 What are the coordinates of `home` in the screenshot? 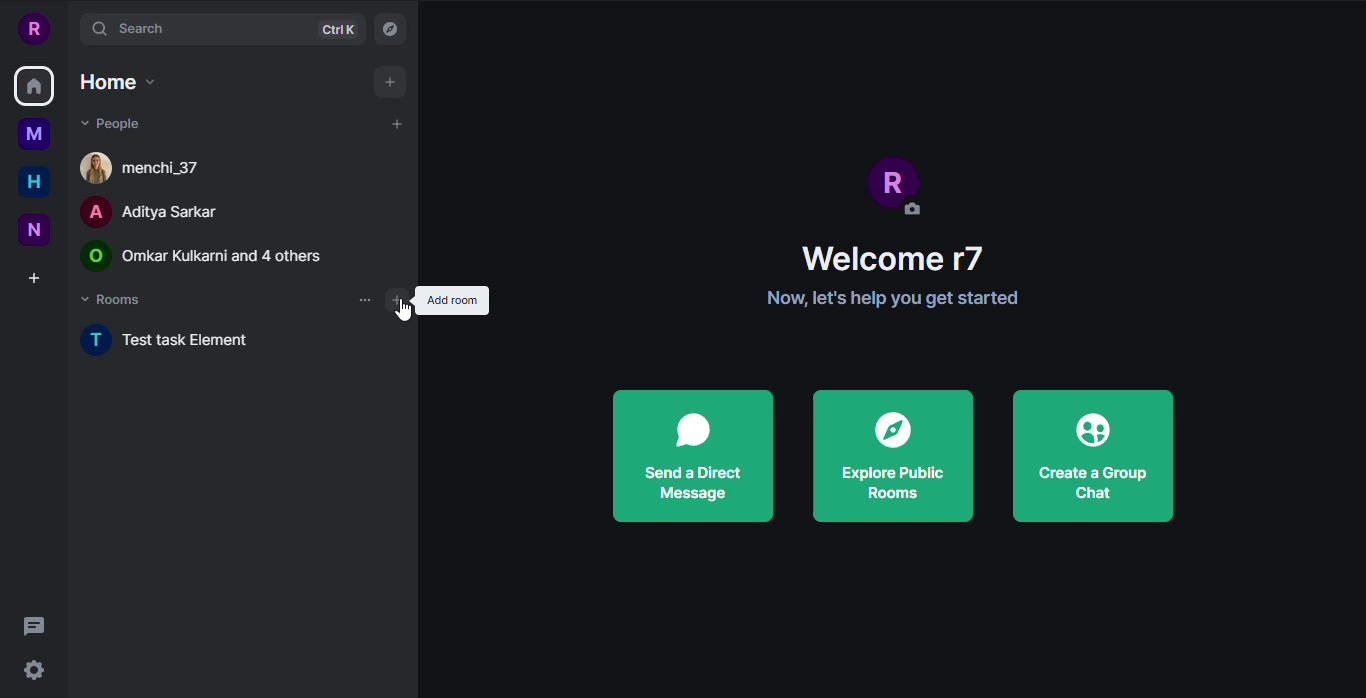 It's located at (115, 81).